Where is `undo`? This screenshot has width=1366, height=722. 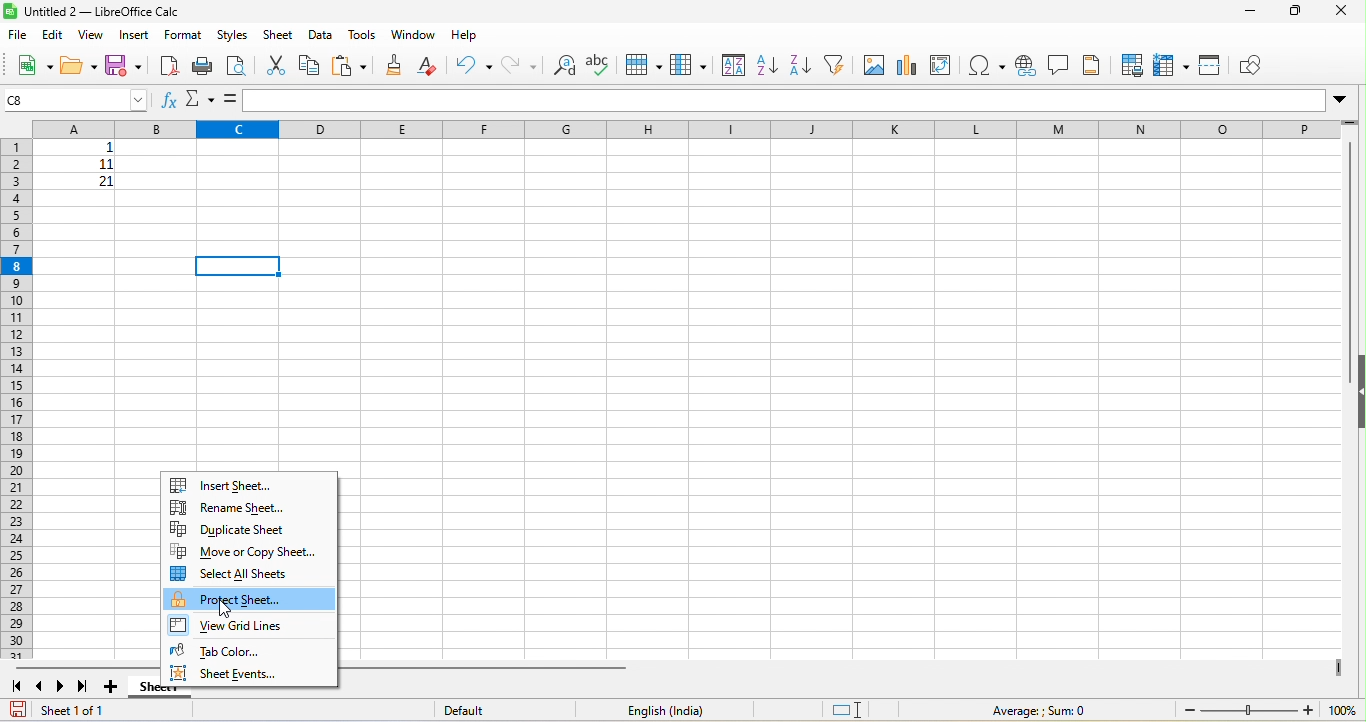 undo is located at coordinates (474, 66).